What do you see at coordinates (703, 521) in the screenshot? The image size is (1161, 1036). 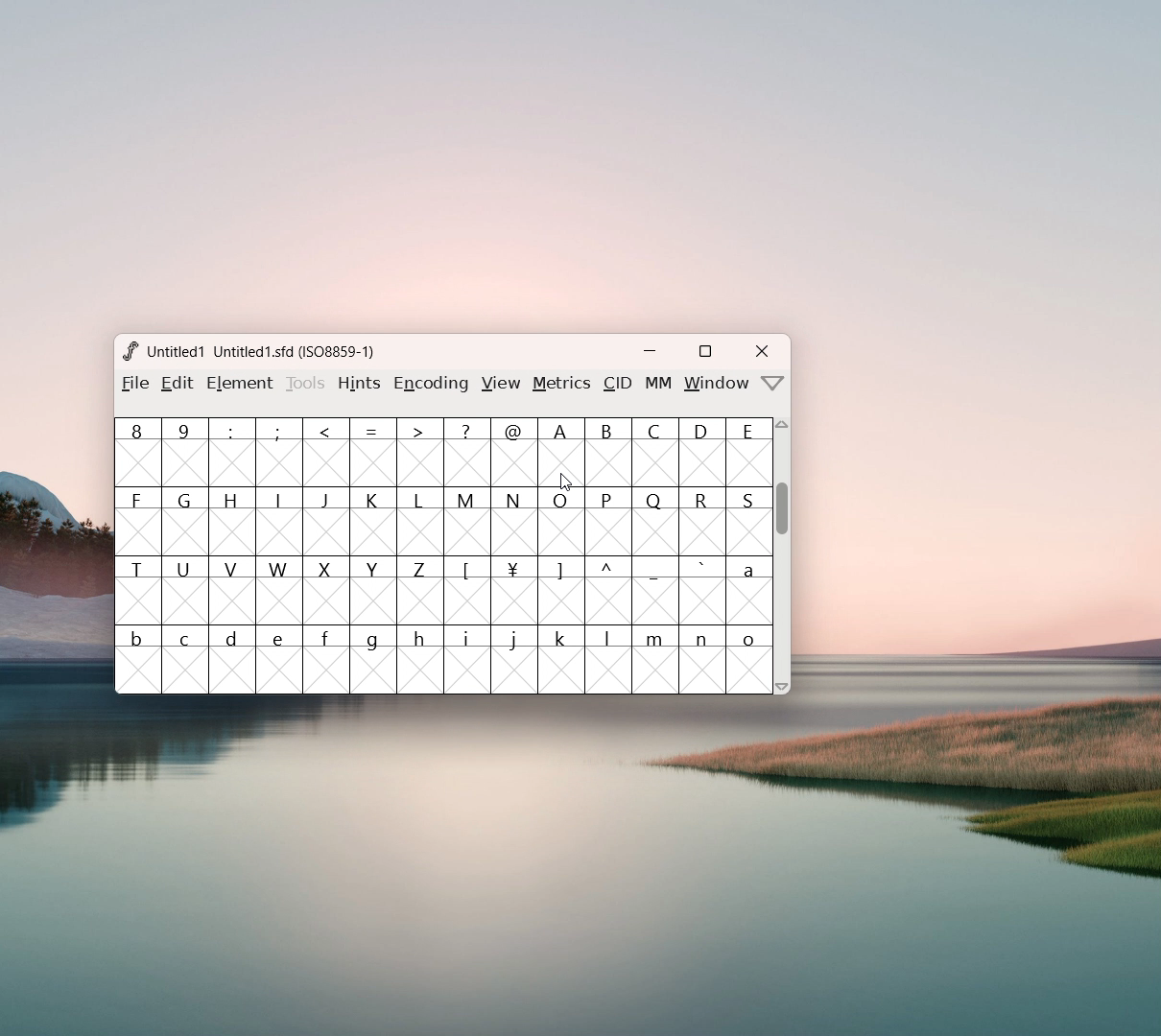 I see `R` at bounding box center [703, 521].